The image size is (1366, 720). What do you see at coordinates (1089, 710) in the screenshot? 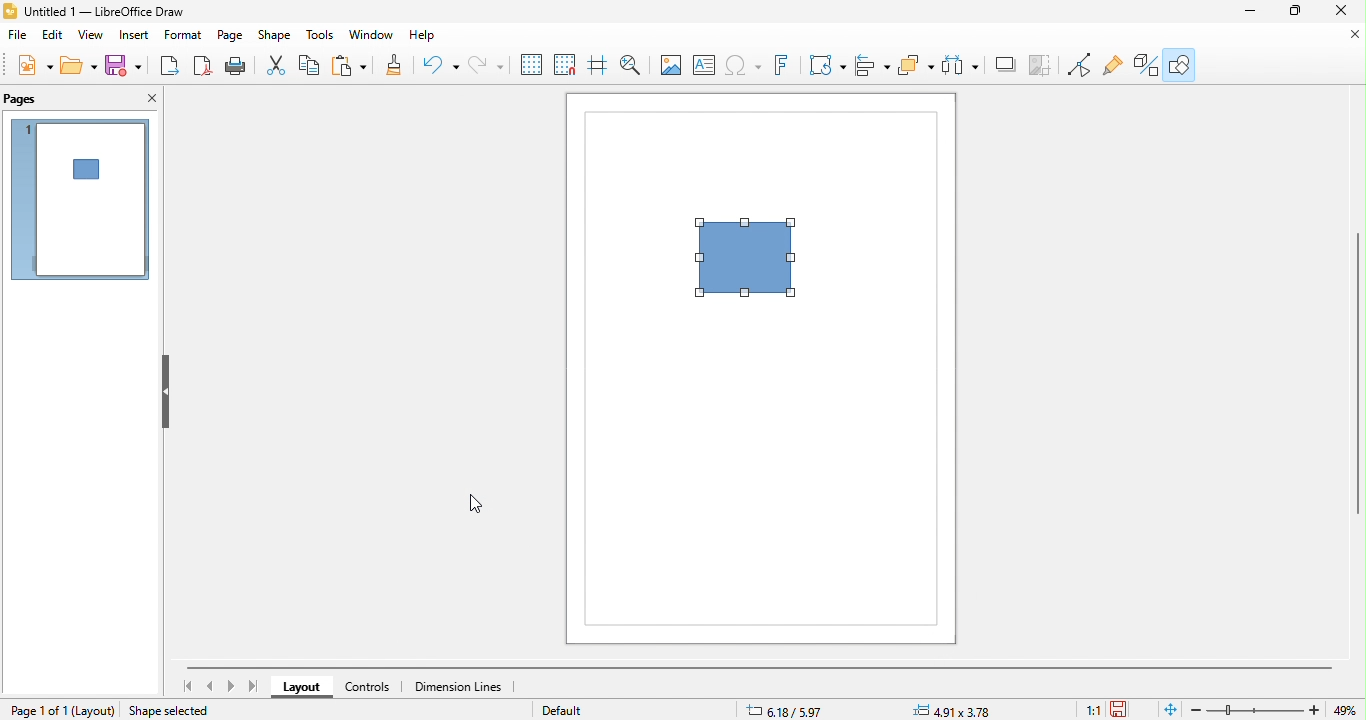
I see `1:1` at bounding box center [1089, 710].